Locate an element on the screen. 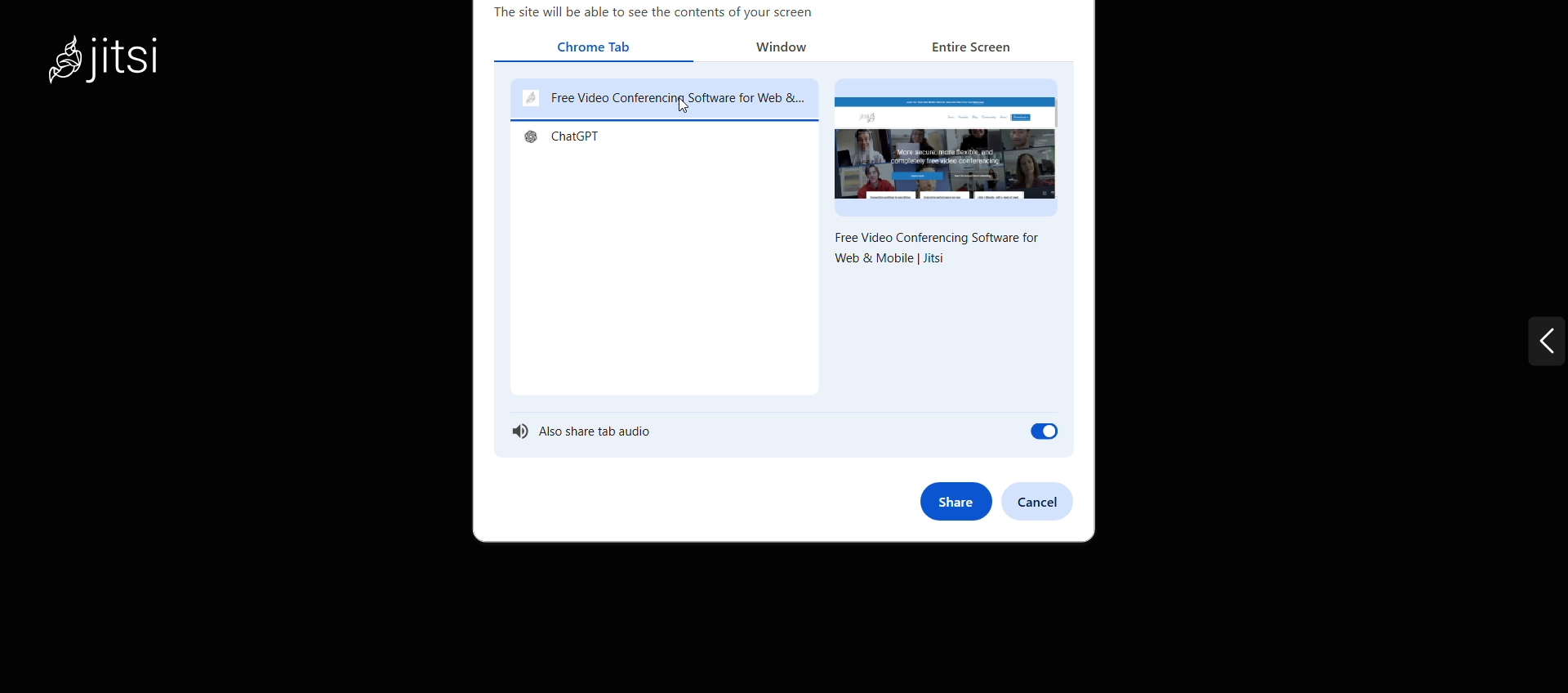 The height and width of the screenshot is (693, 1568). expand is located at coordinates (1515, 348).